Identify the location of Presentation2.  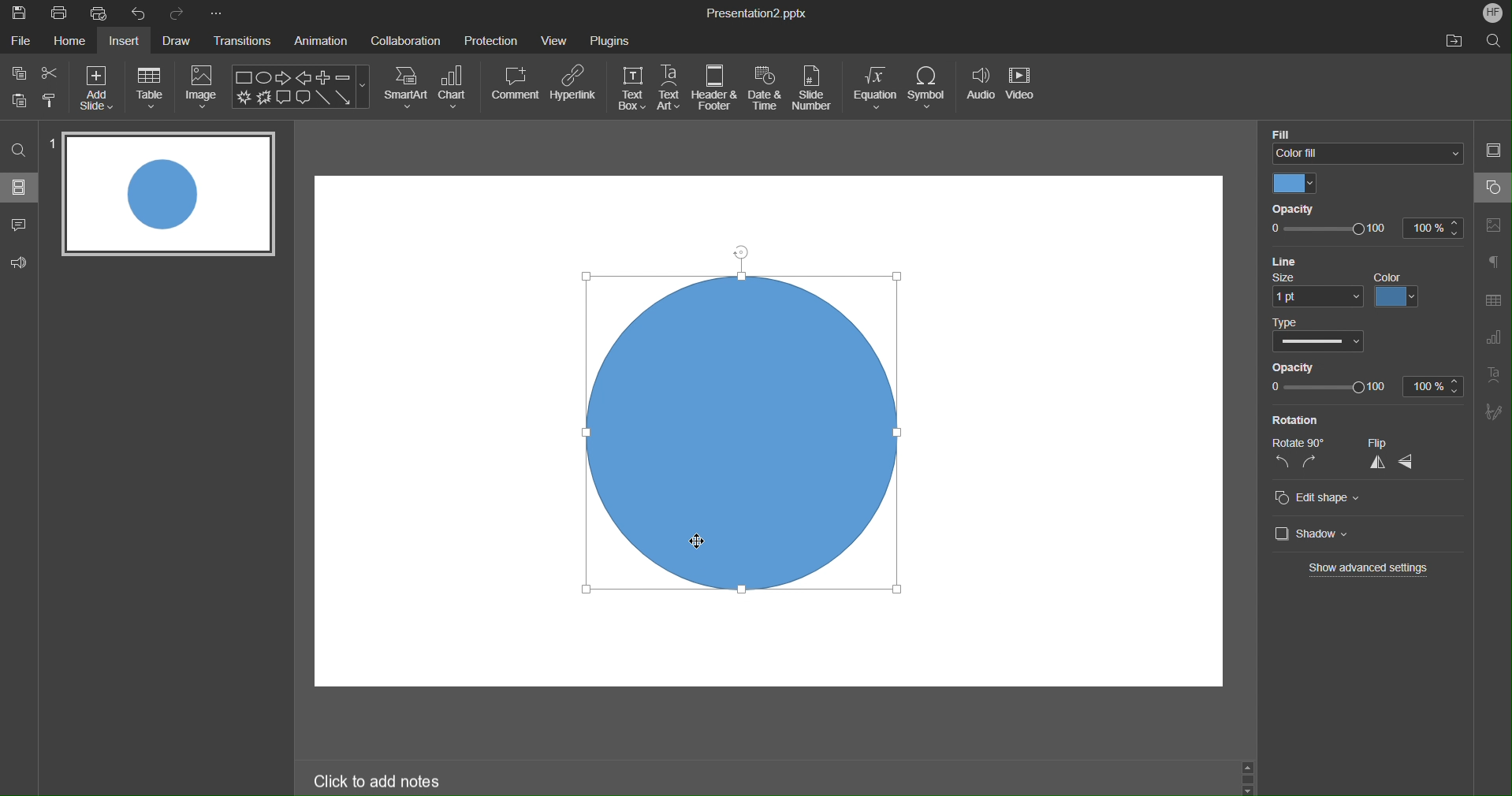
(755, 15).